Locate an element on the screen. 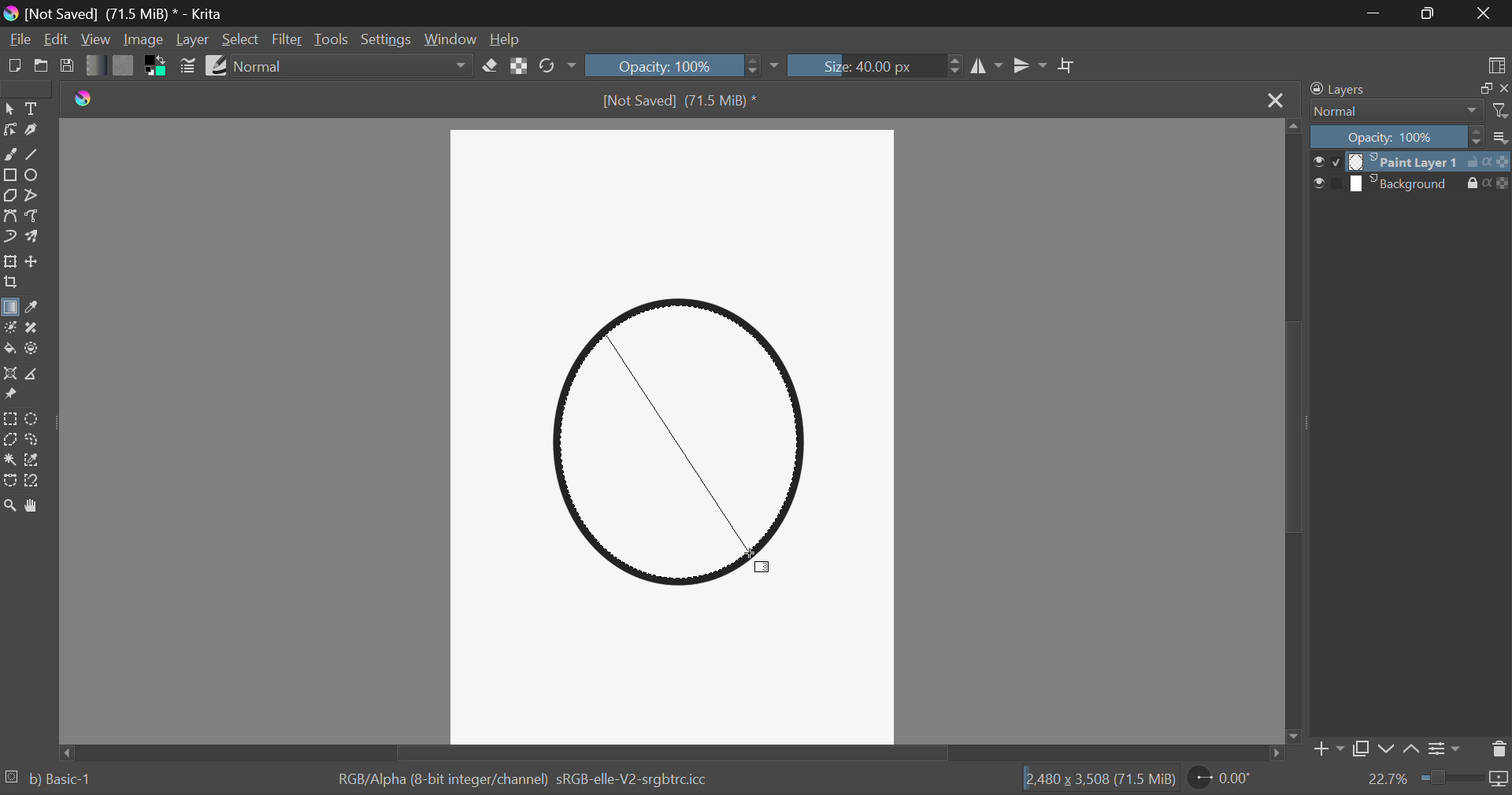  Pan is located at coordinates (35, 507).